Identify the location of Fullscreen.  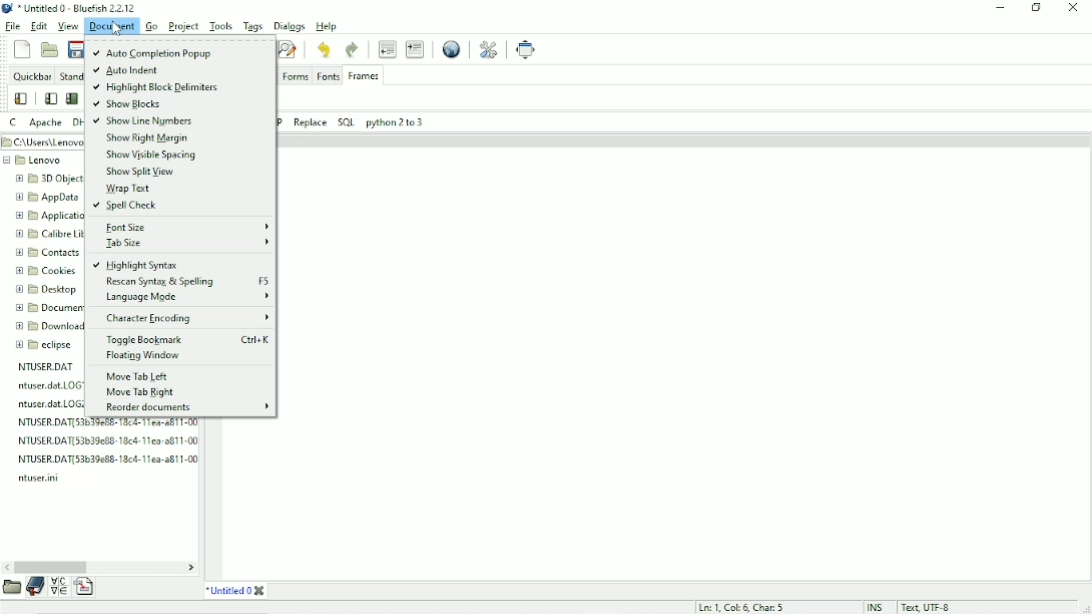
(525, 48).